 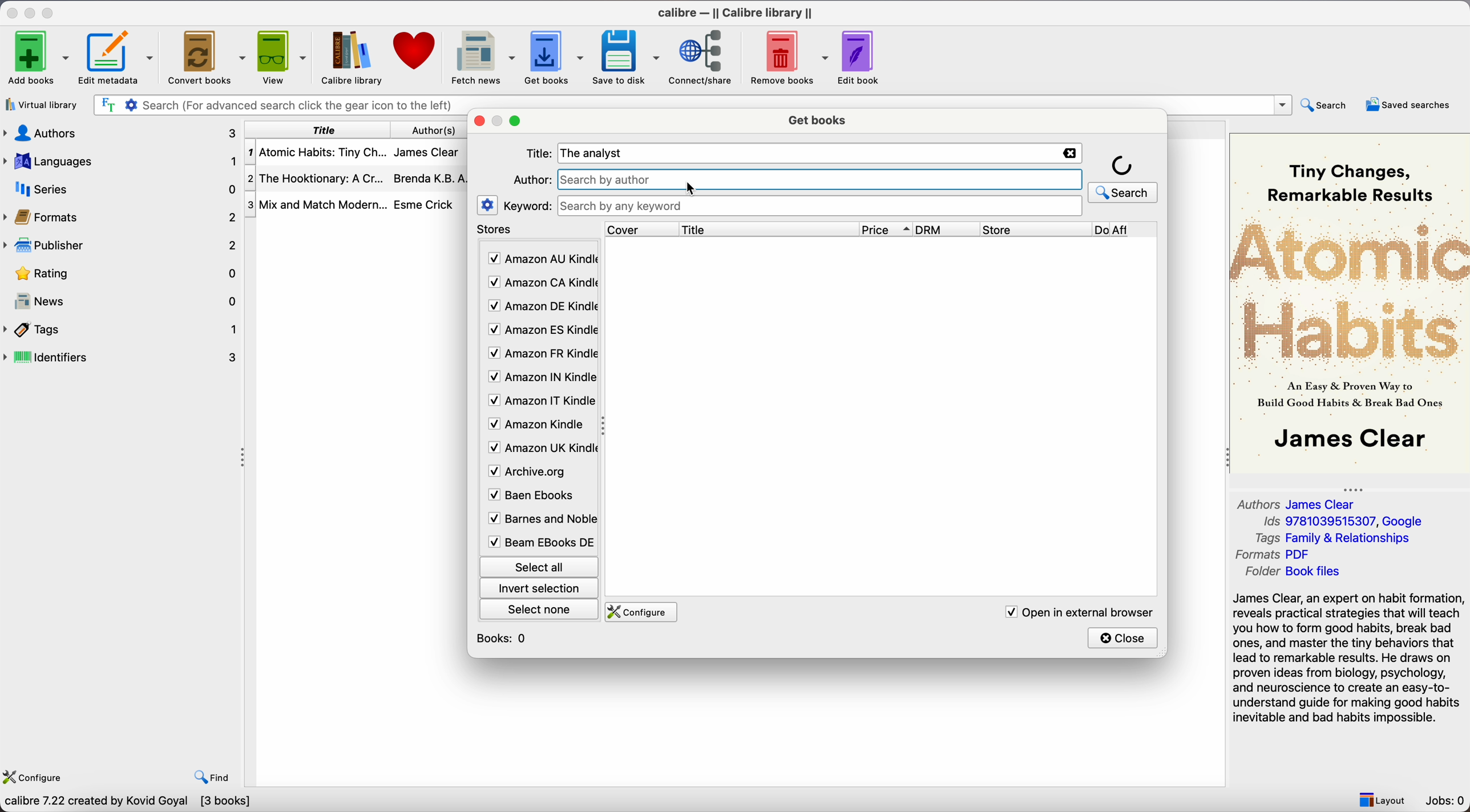 I want to click on select none, so click(x=540, y=612).